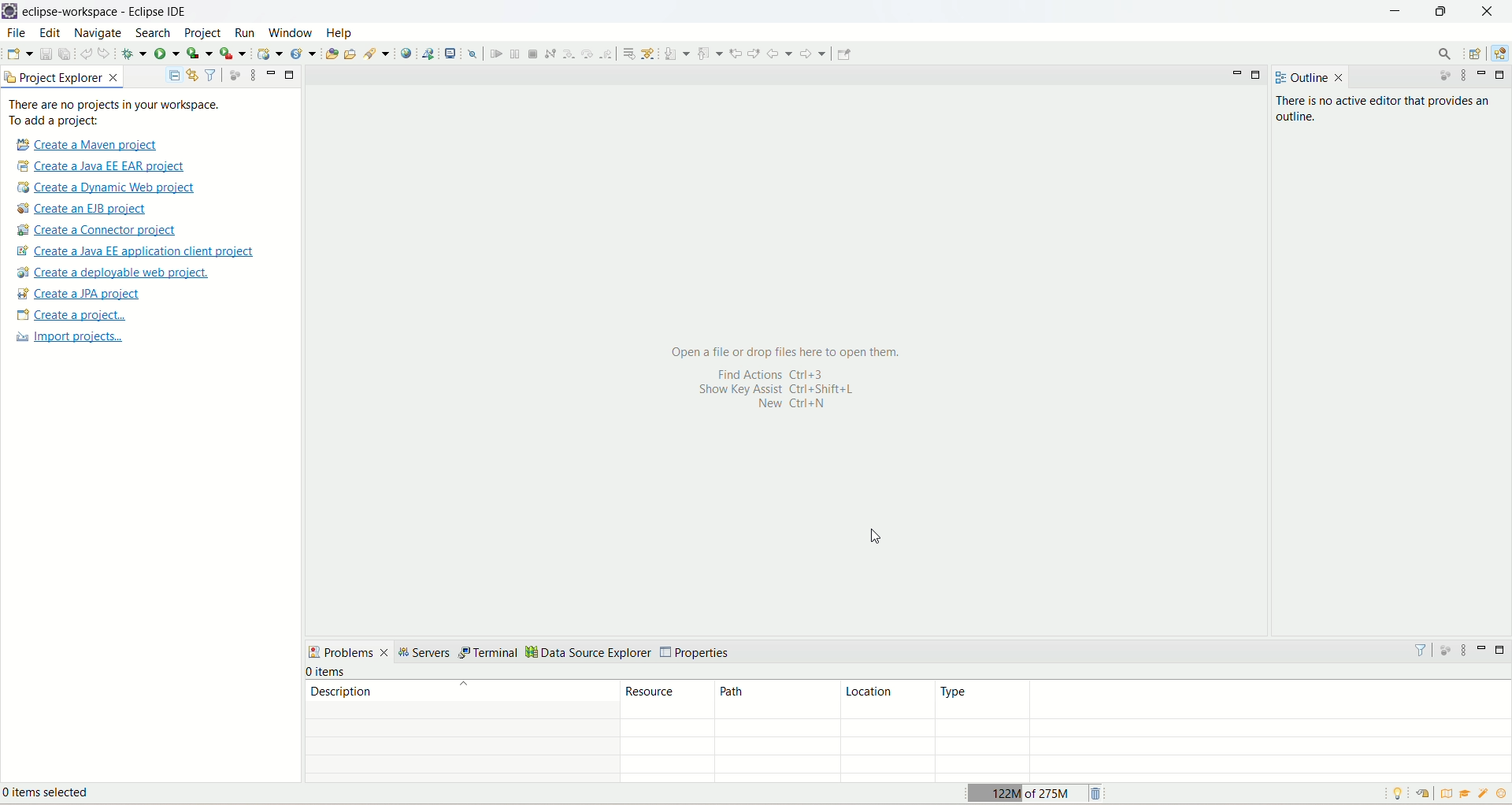 The height and width of the screenshot is (805, 1512). Describe the element at coordinates (1484, 74) in the screenshot. I see `minimize` at that location.